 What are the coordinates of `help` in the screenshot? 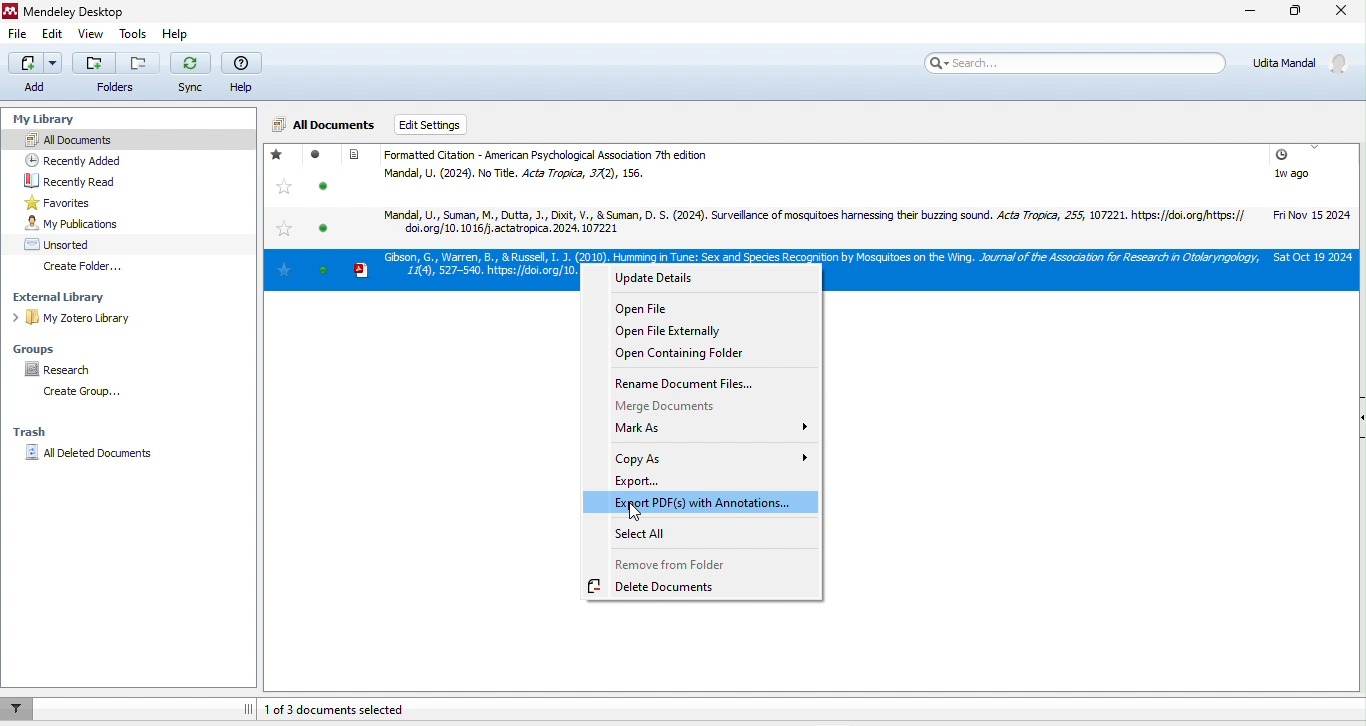 It's located at (176, 32).